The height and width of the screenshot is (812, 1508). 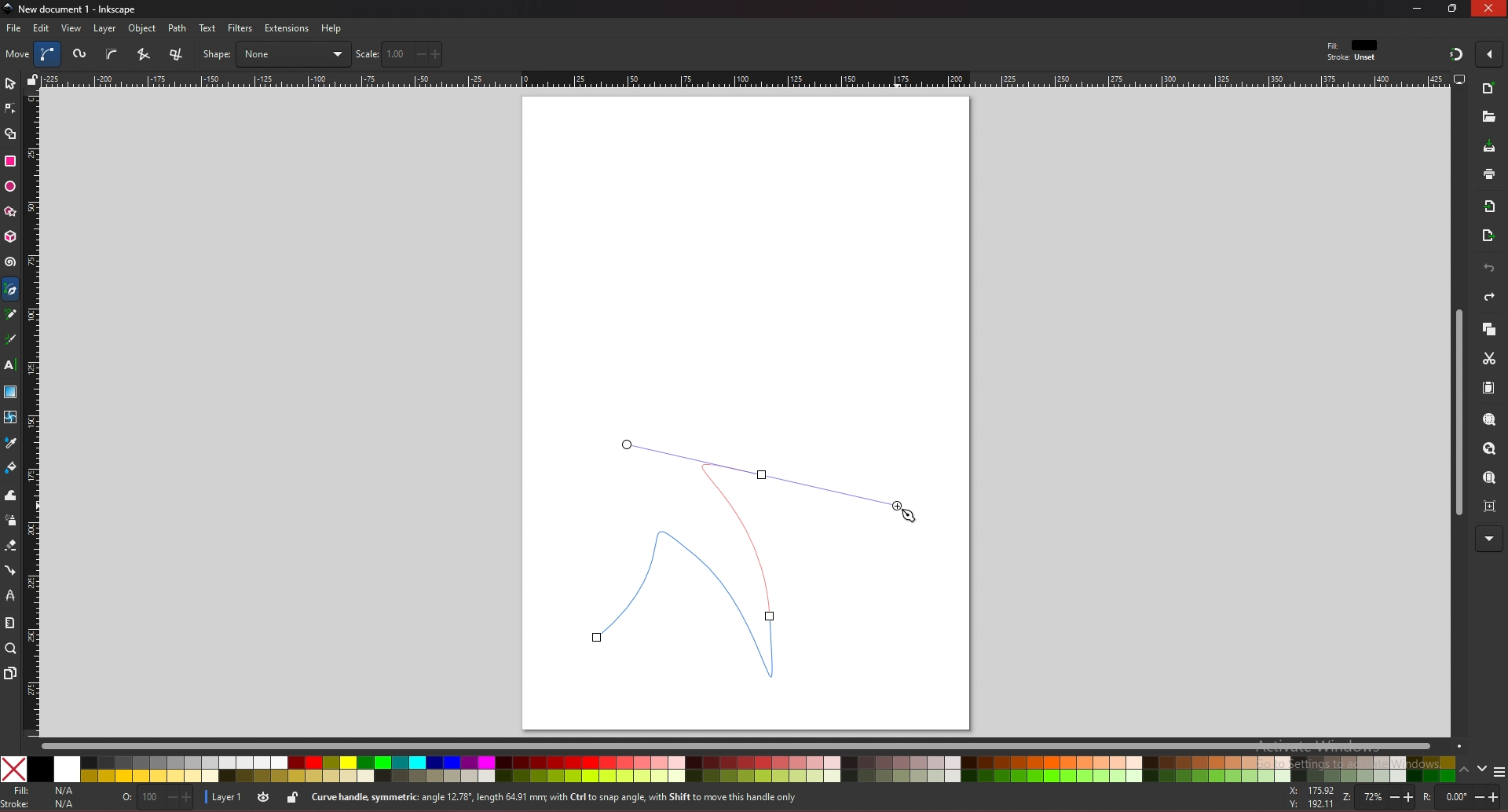 I want to click on print, so click(x=1489, y=174).